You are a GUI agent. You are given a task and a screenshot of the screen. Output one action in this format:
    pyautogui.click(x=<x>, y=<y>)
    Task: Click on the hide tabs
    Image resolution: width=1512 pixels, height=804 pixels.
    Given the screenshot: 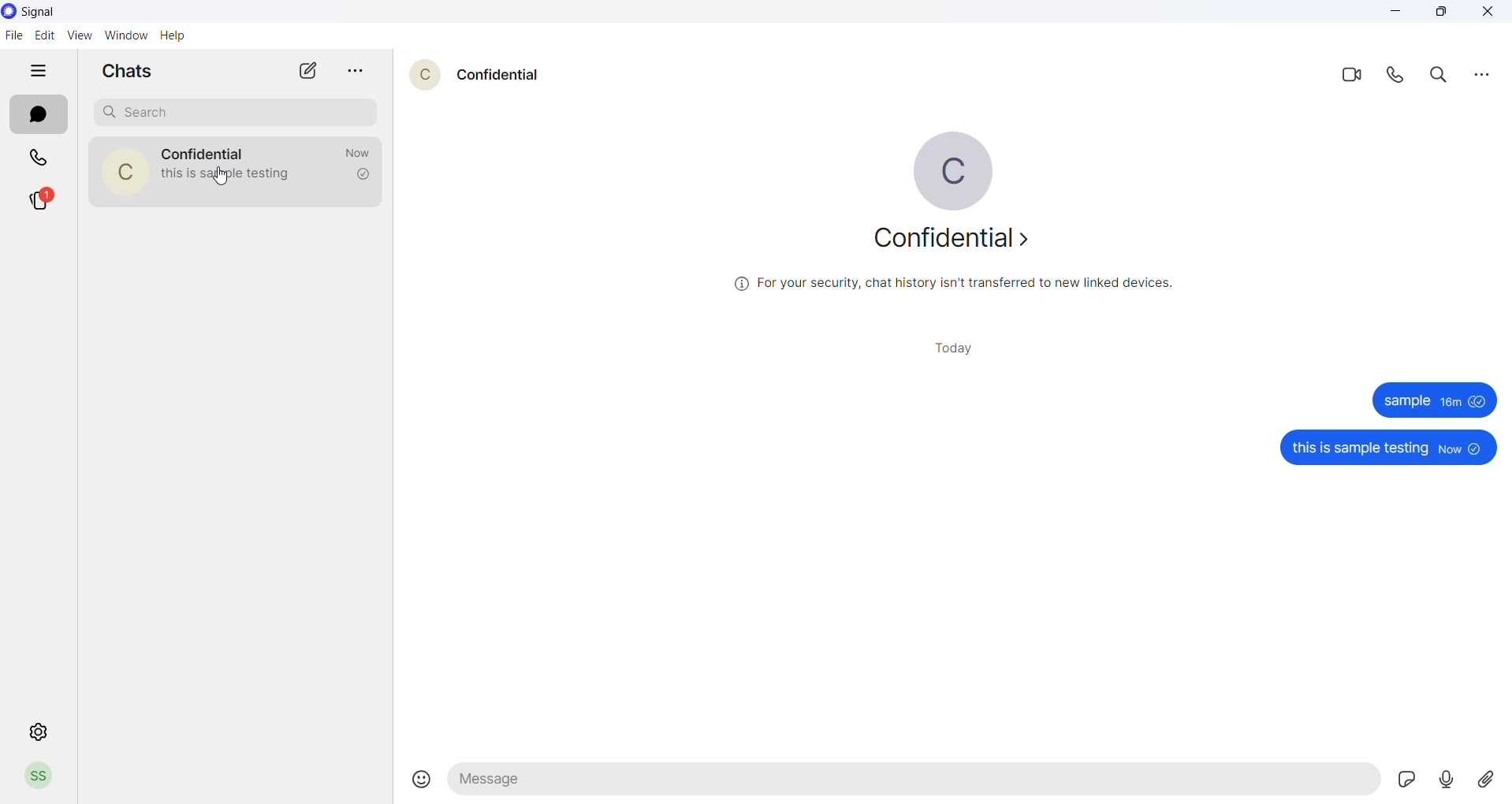 What is the action you would take?
    pyautogui.click(x=40, y=72)
    